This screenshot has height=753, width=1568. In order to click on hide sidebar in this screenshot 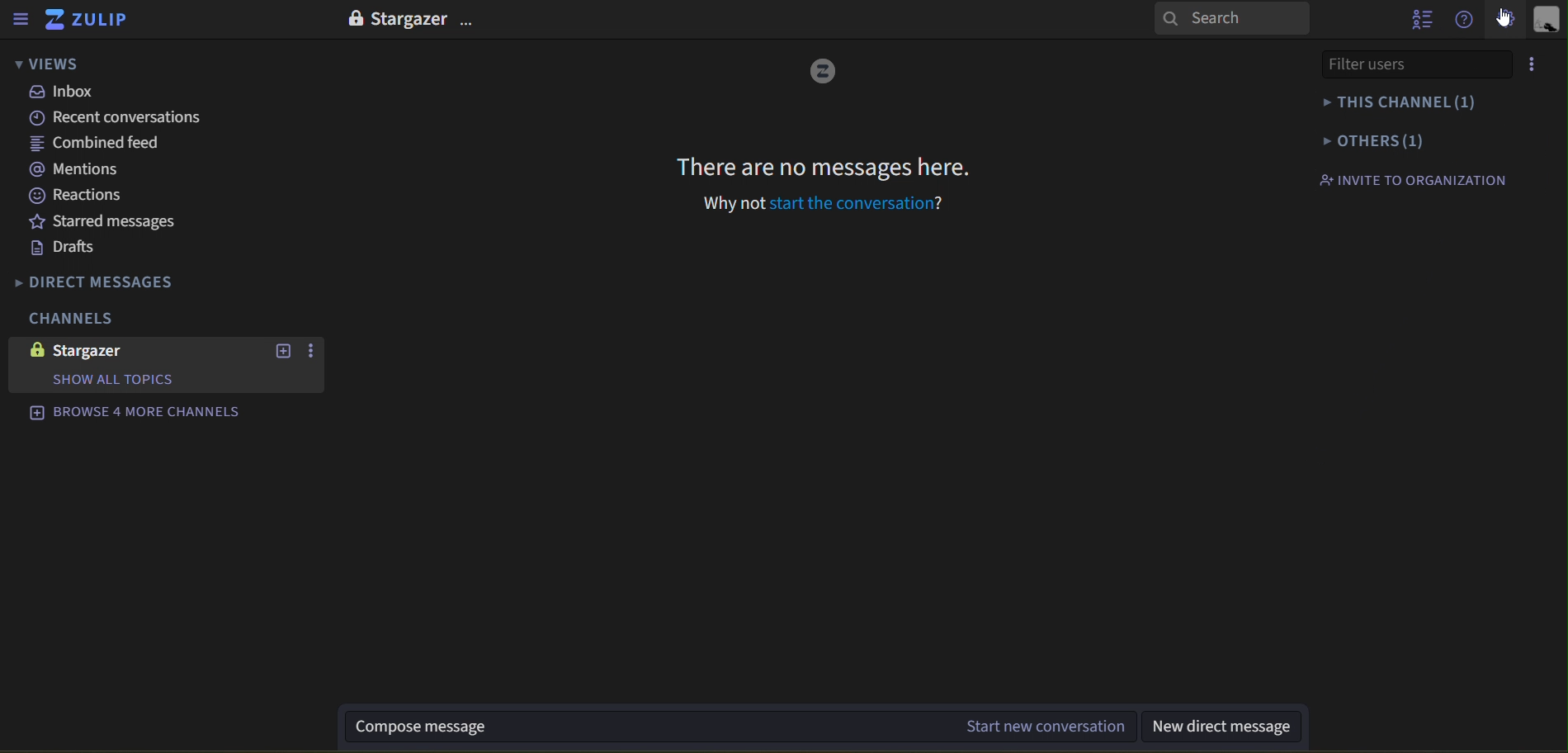, I will do `click(21, 19)`.